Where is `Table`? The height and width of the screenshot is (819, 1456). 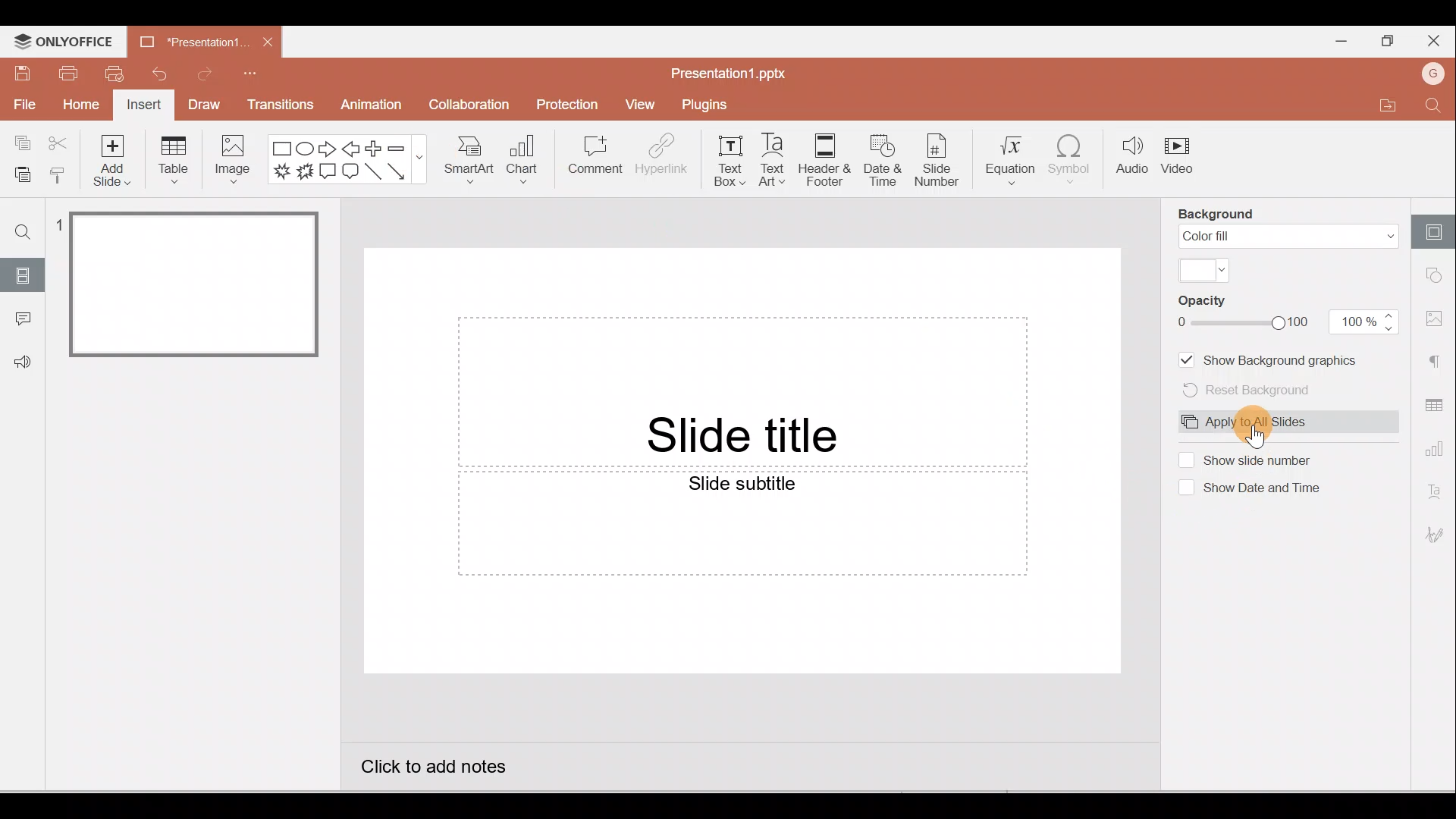
Table is located at coordinates (174, 161).